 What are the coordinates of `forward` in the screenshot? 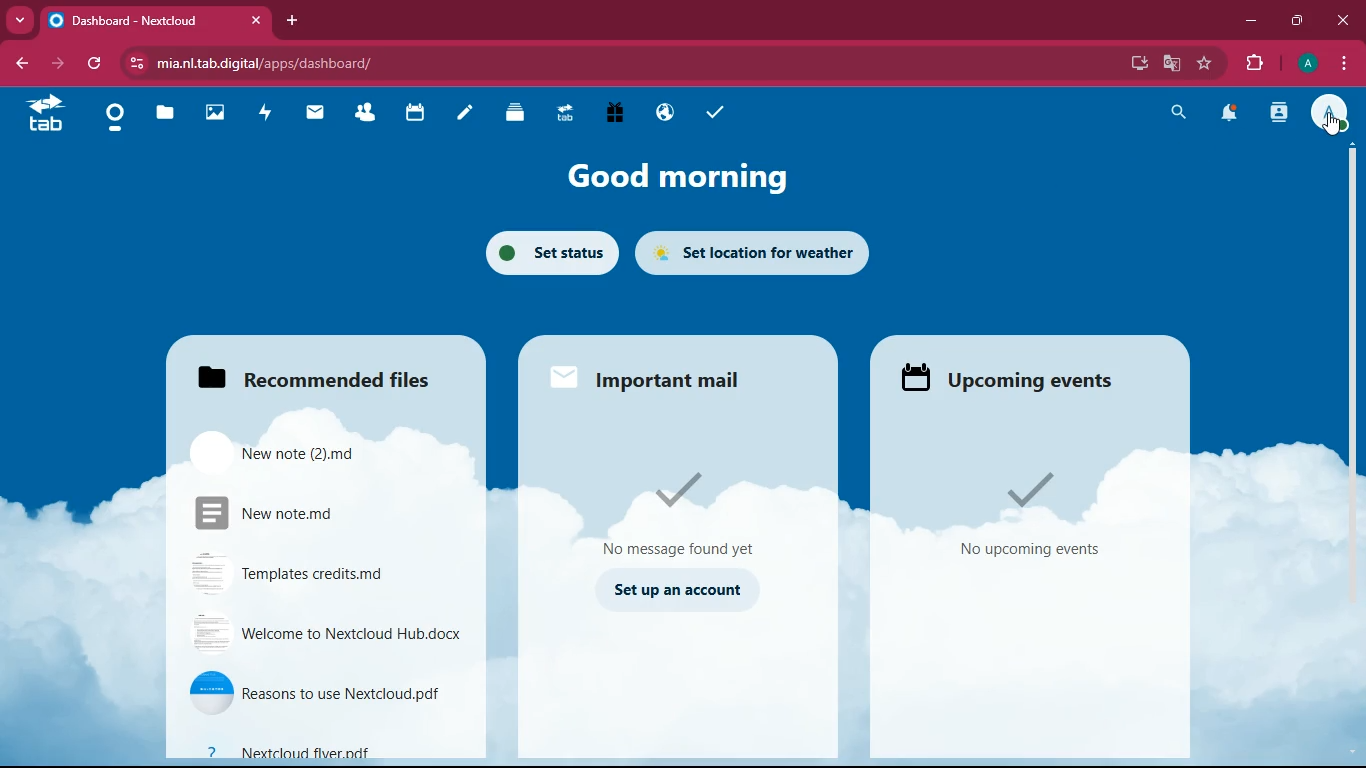 It's located at (61, 64).